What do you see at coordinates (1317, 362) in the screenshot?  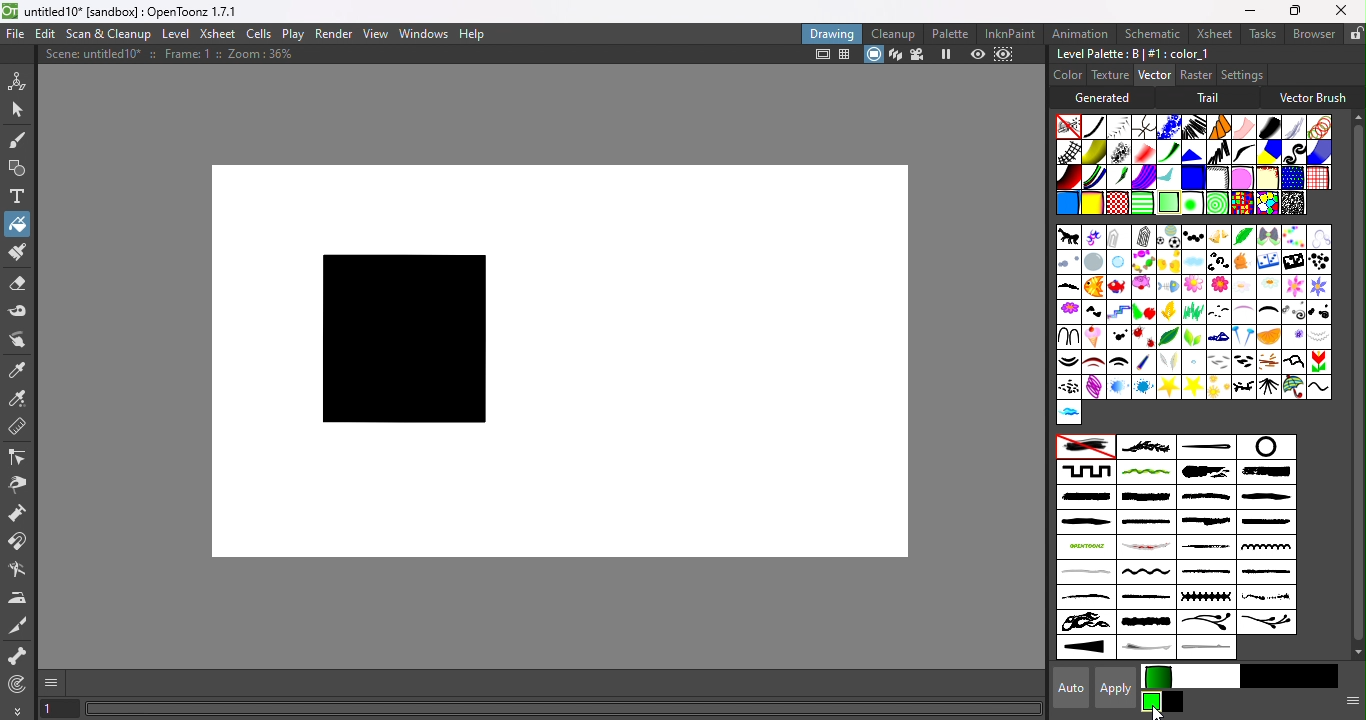 I see `scho` at bounding box center [1317, 362].